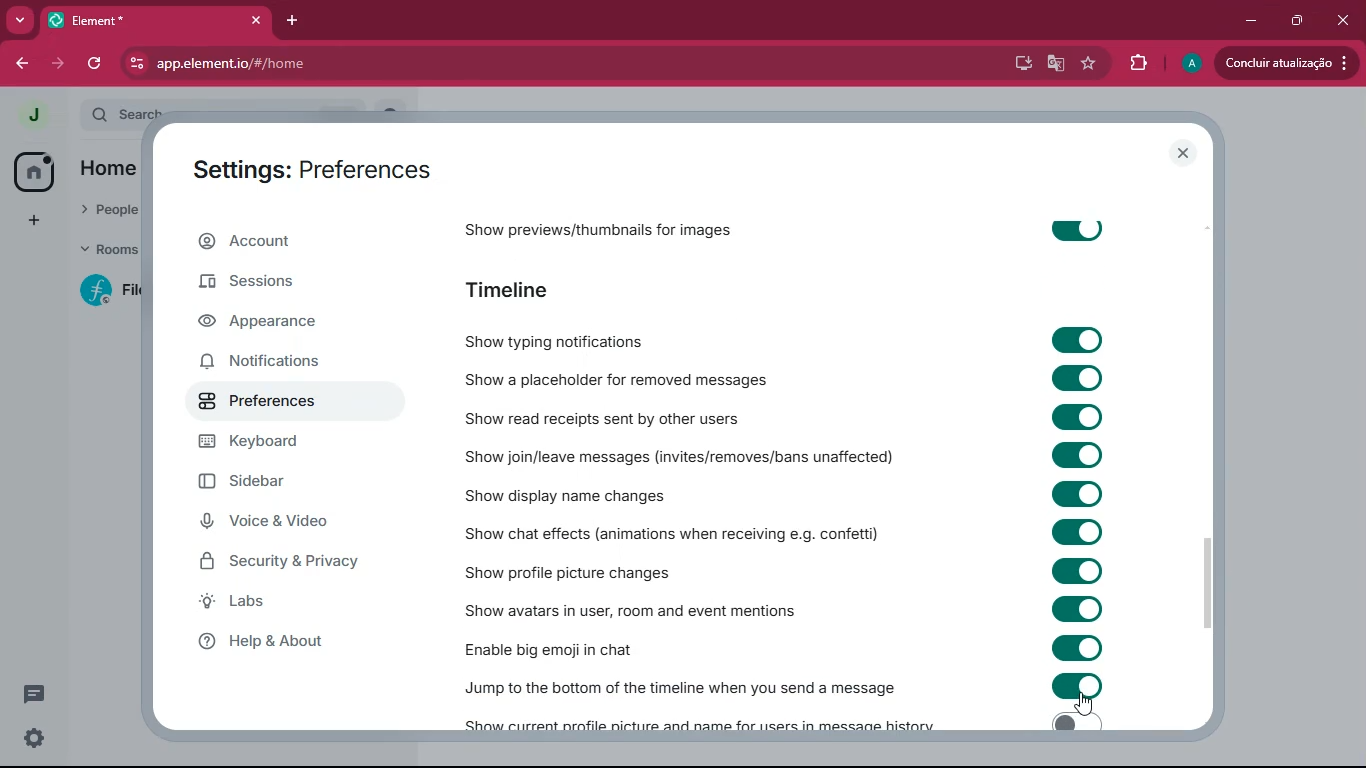 The width and height of the screenshot is (1366, 768). I want to click on back, so click(17, 63).